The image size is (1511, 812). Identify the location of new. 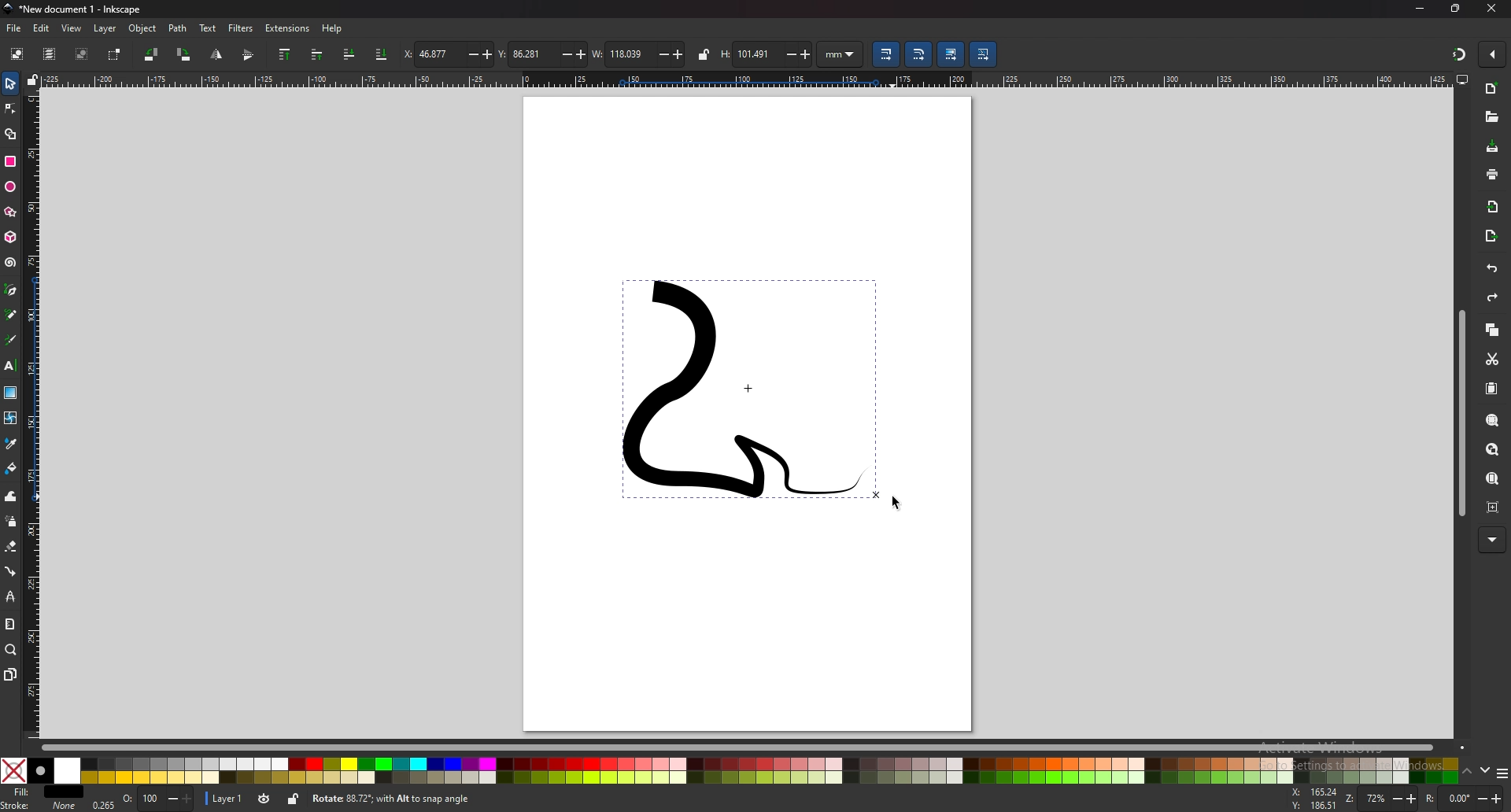
(1493, 90).